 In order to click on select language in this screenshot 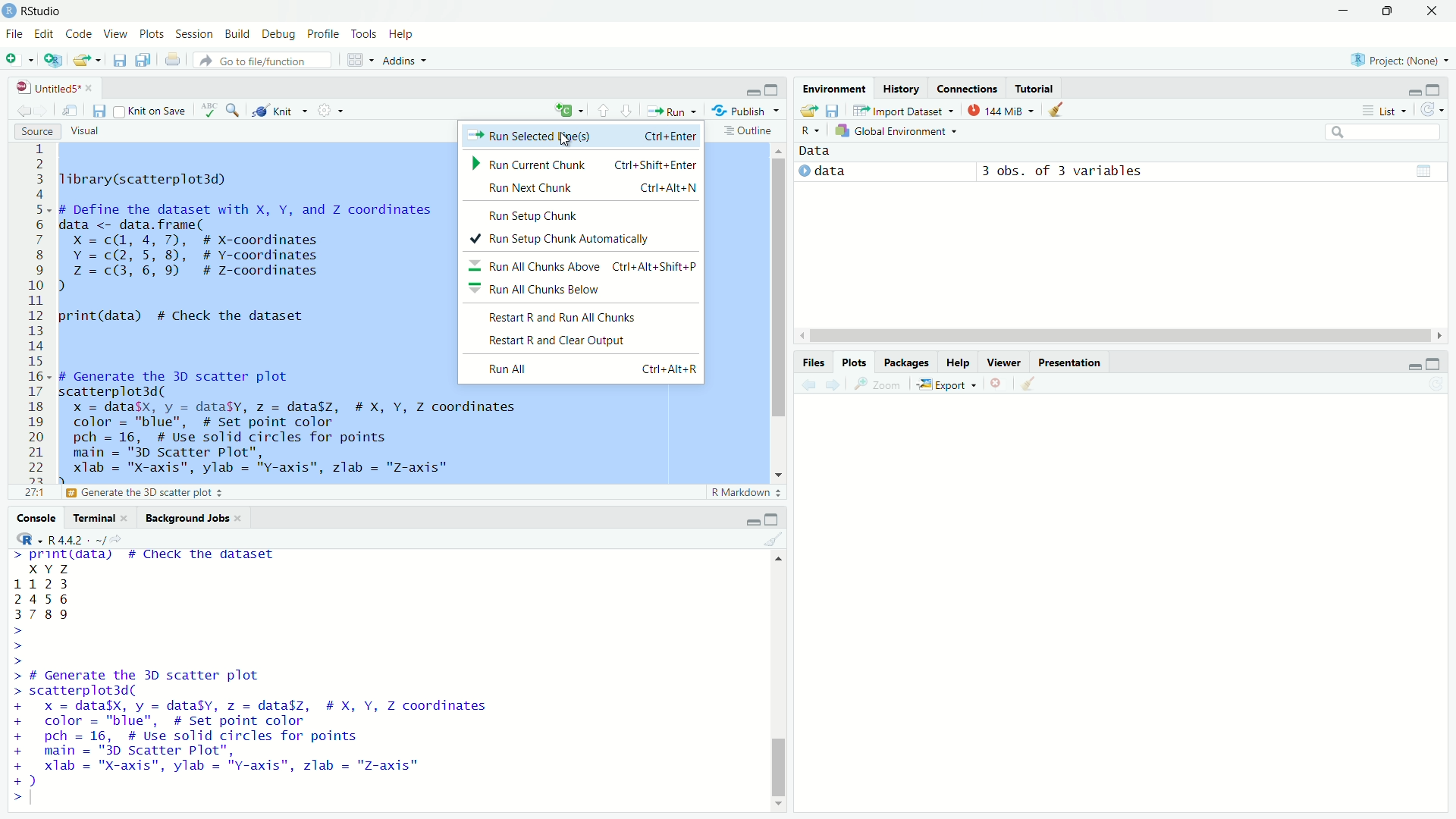, I will do `click(808, 130)`.